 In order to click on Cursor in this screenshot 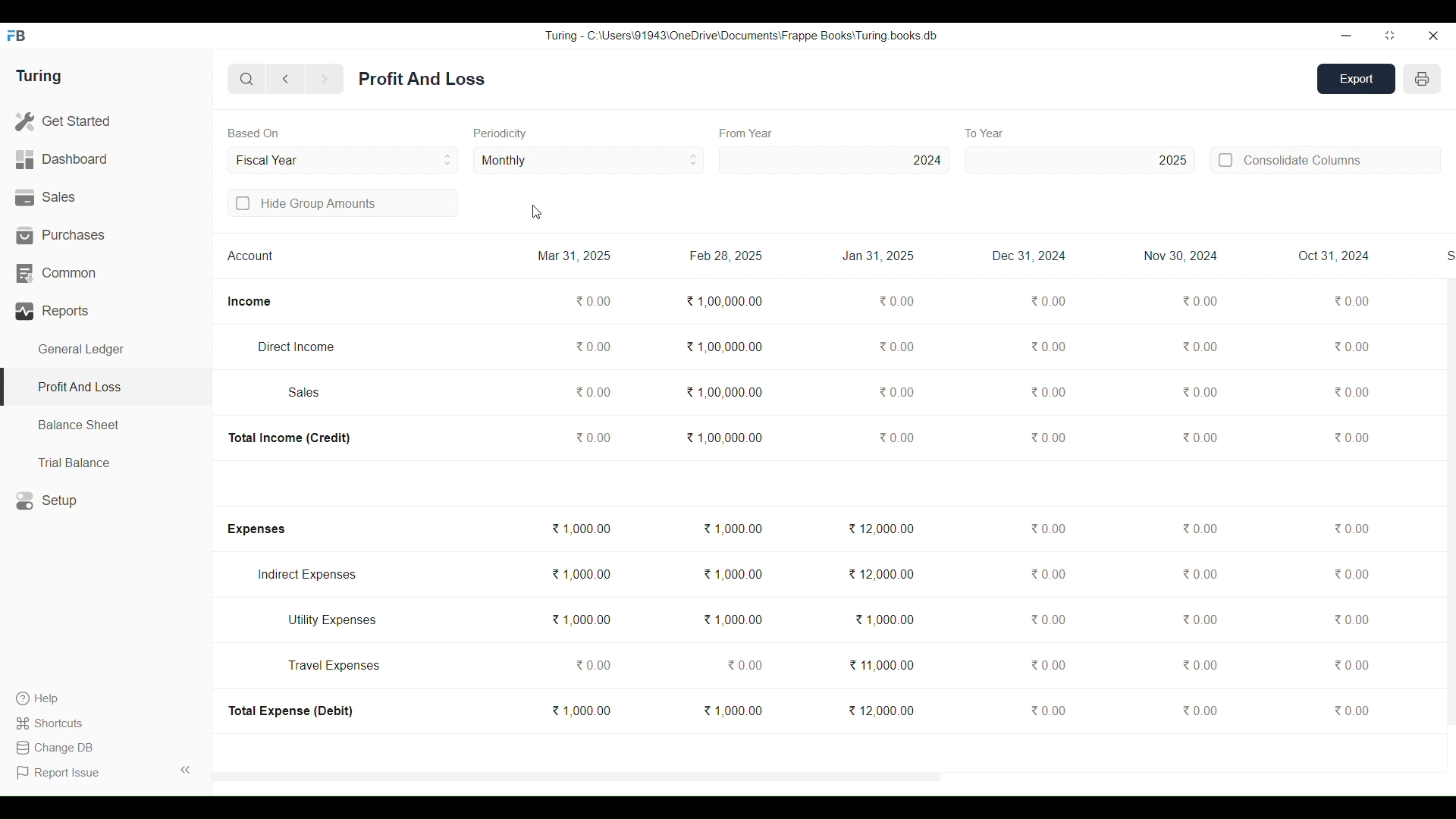, I will do `click(536, 212)`.